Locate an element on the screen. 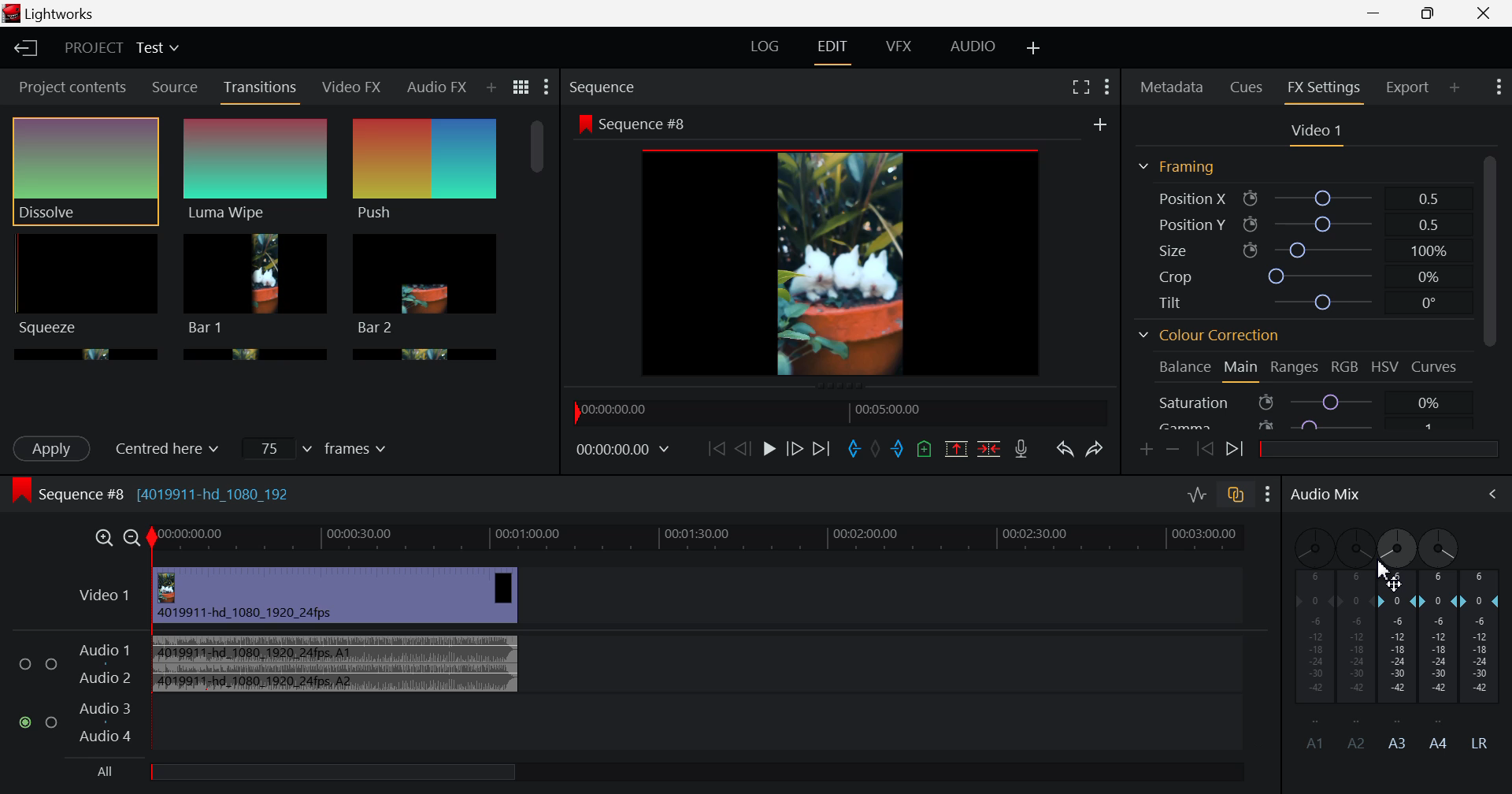  Remove marked section is located at coordinates (956, 447).